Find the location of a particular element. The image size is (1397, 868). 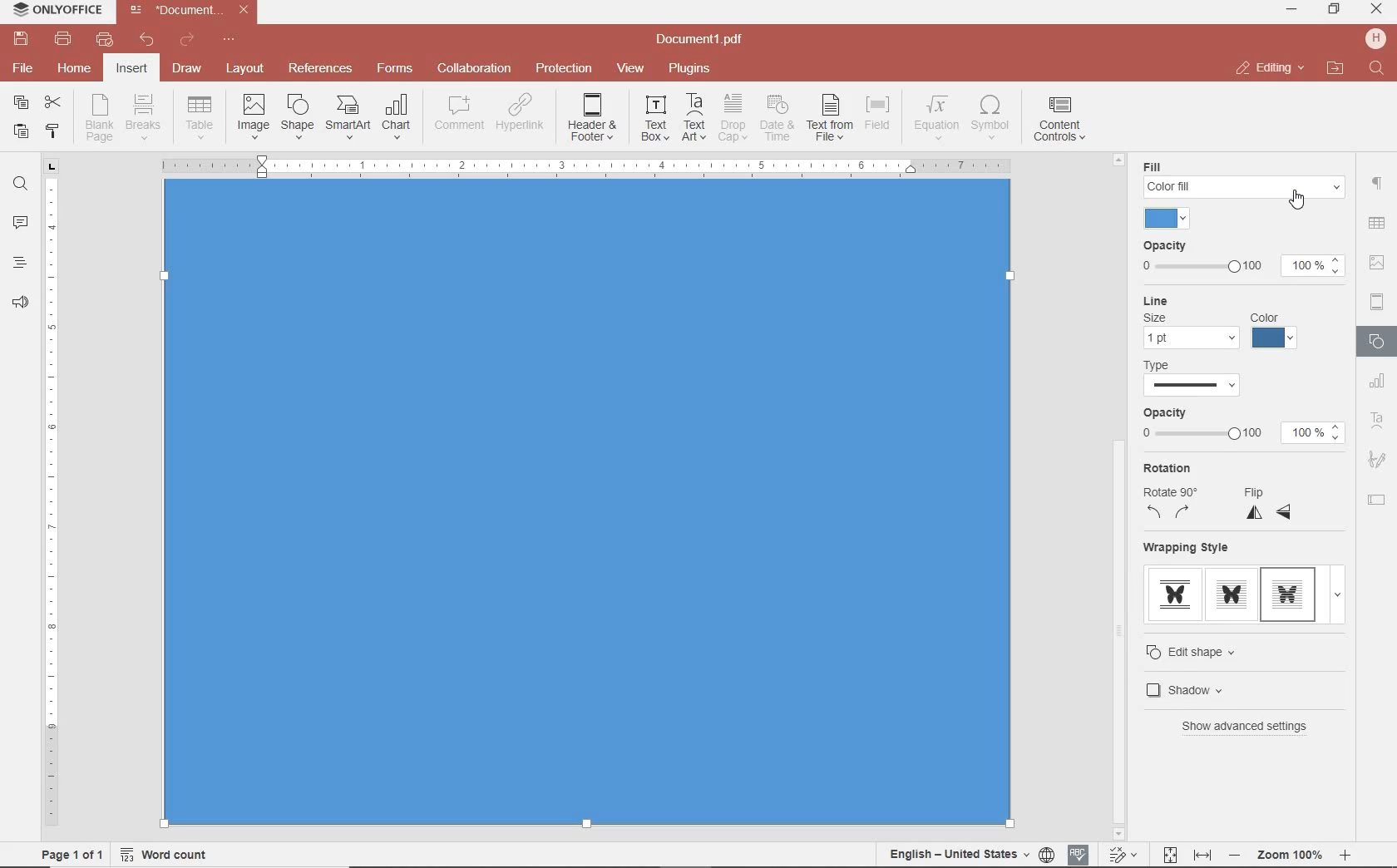

spell checking is located at coordinates (1079, 855).